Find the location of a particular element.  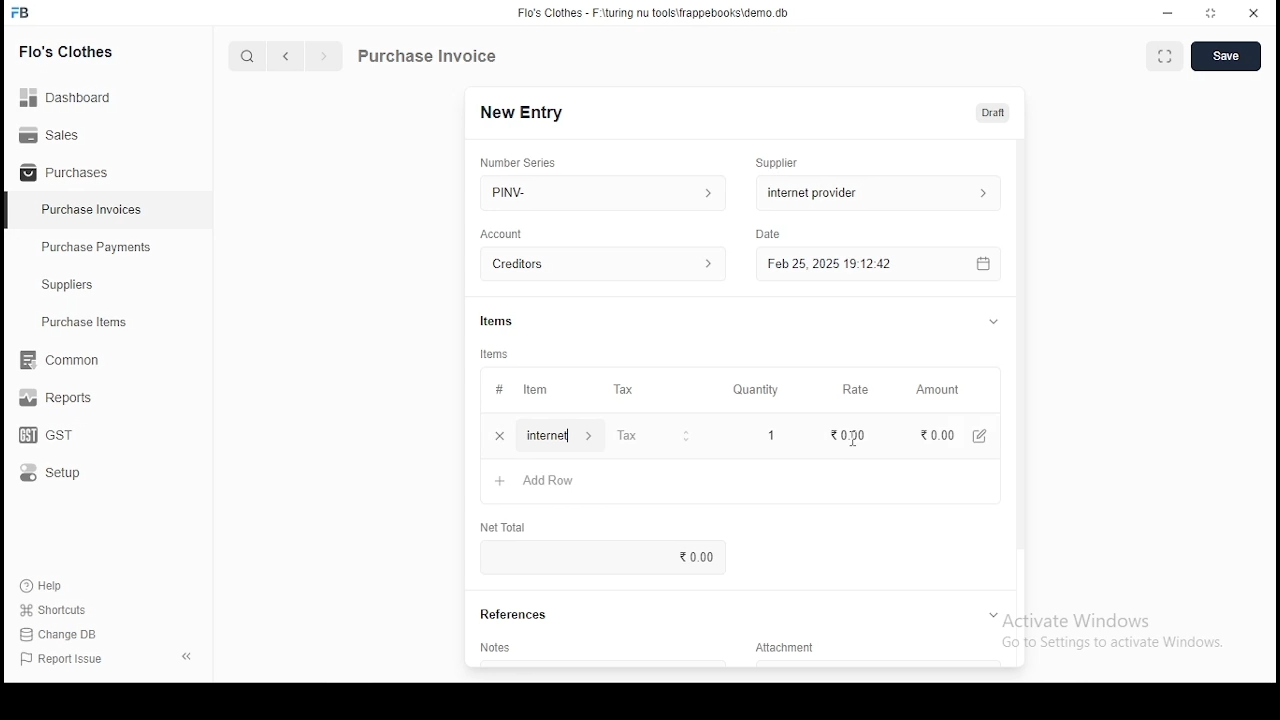

# is located at coordinates (499, 391).